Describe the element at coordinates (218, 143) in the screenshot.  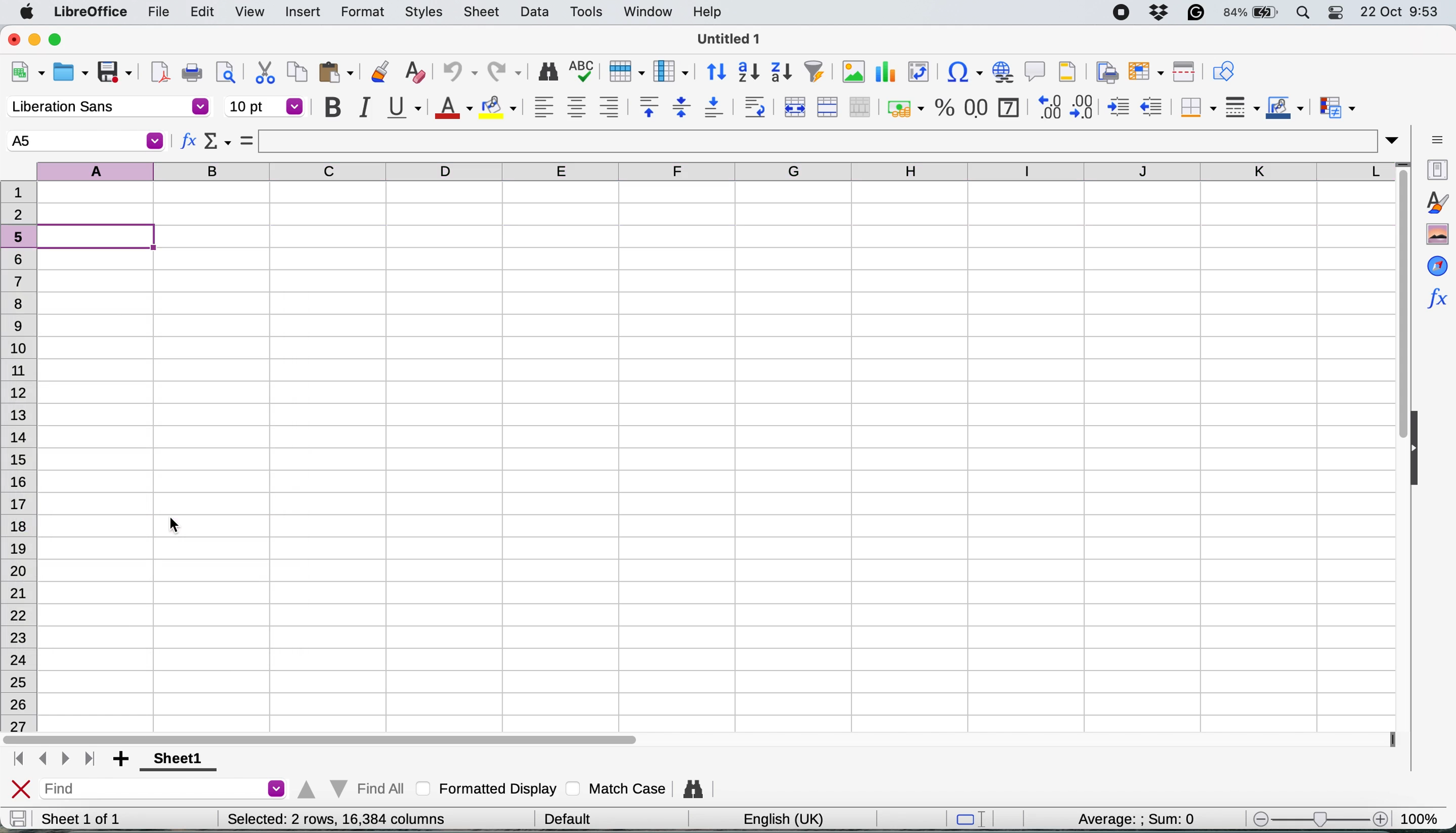
I see `select wizard` at that location.